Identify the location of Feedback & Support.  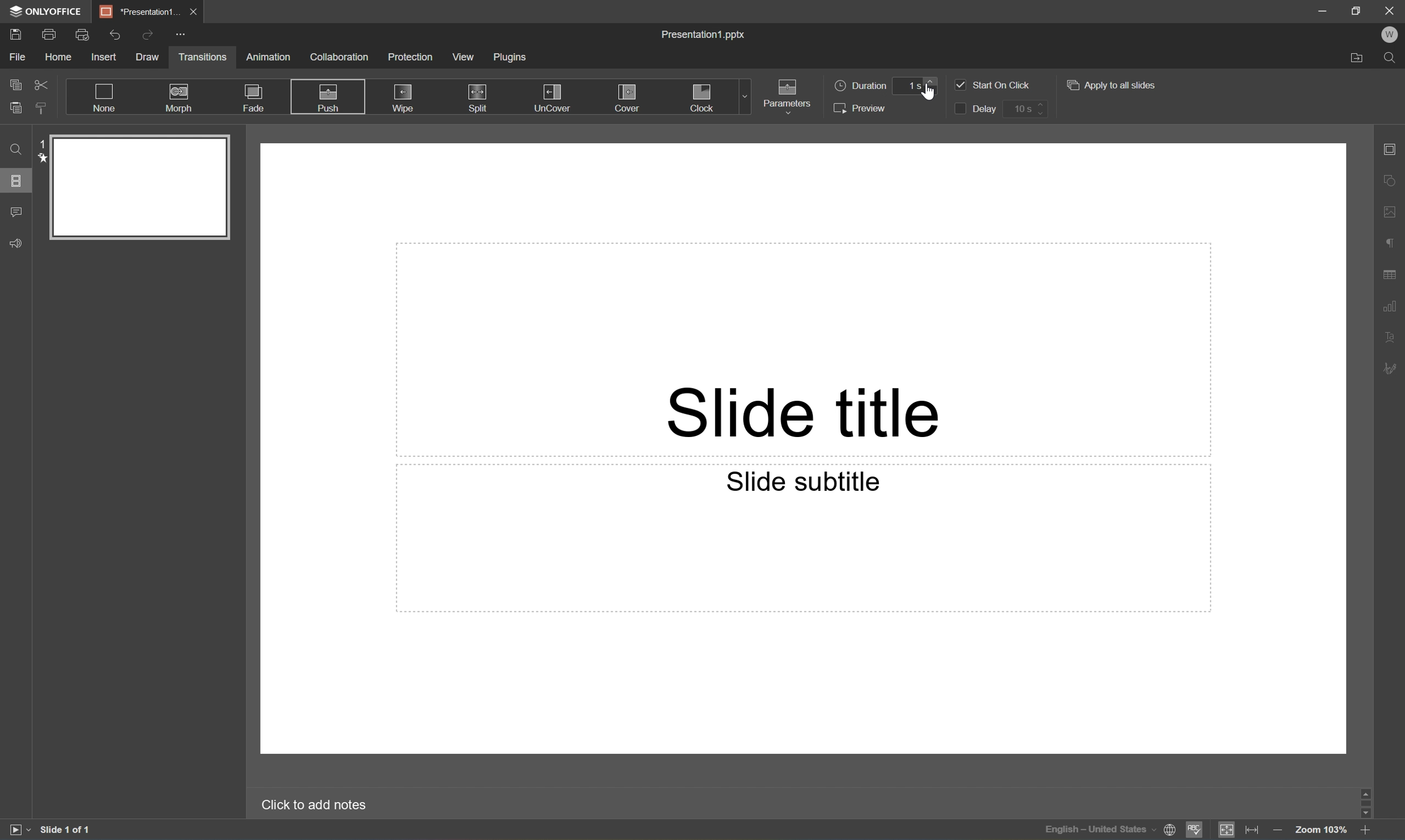
(15, 246).